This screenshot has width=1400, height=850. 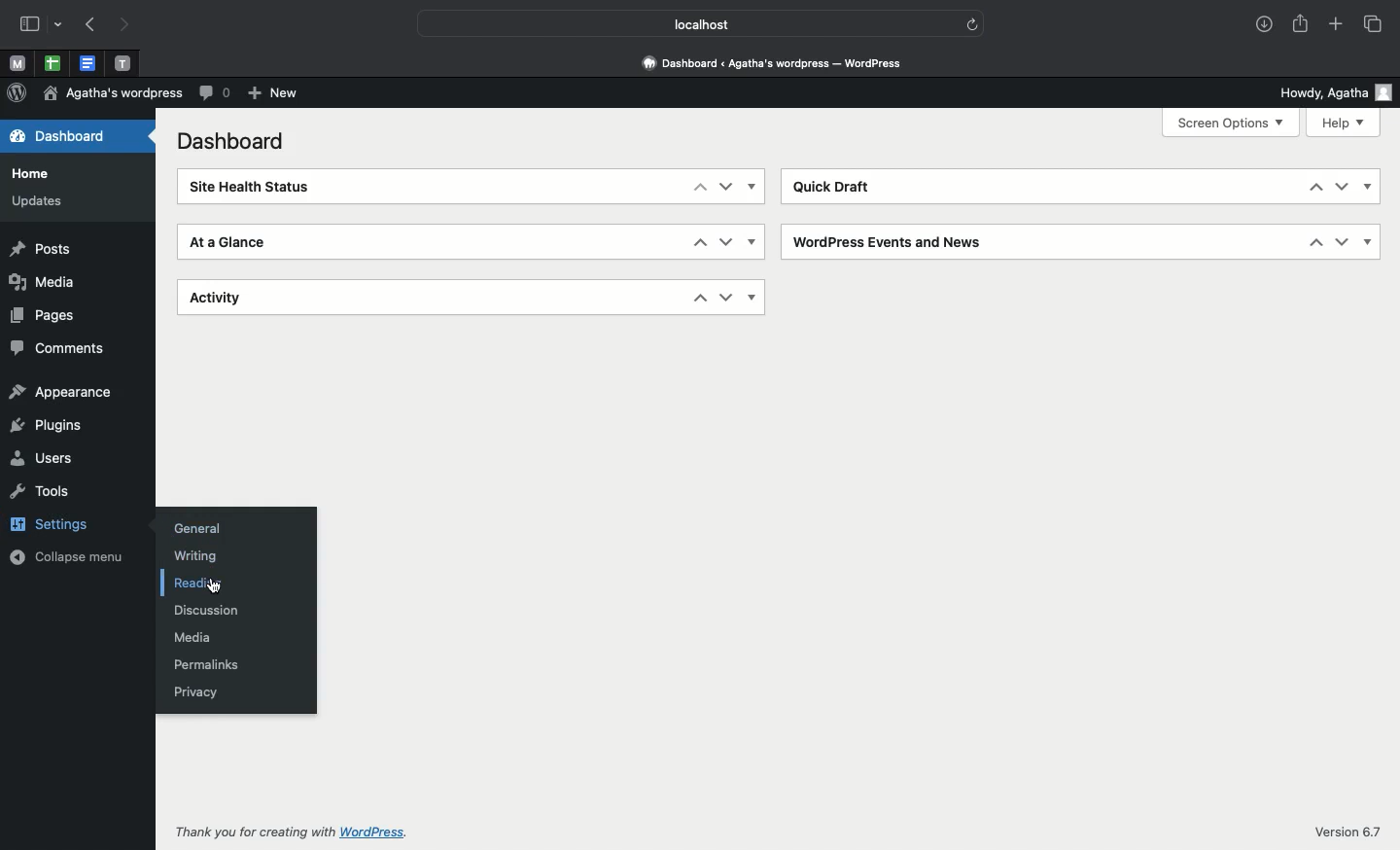 What do you see at coordinates (64, 556) in the screenshot?
I see `Collapse menu` at bounding box center [64, 556].